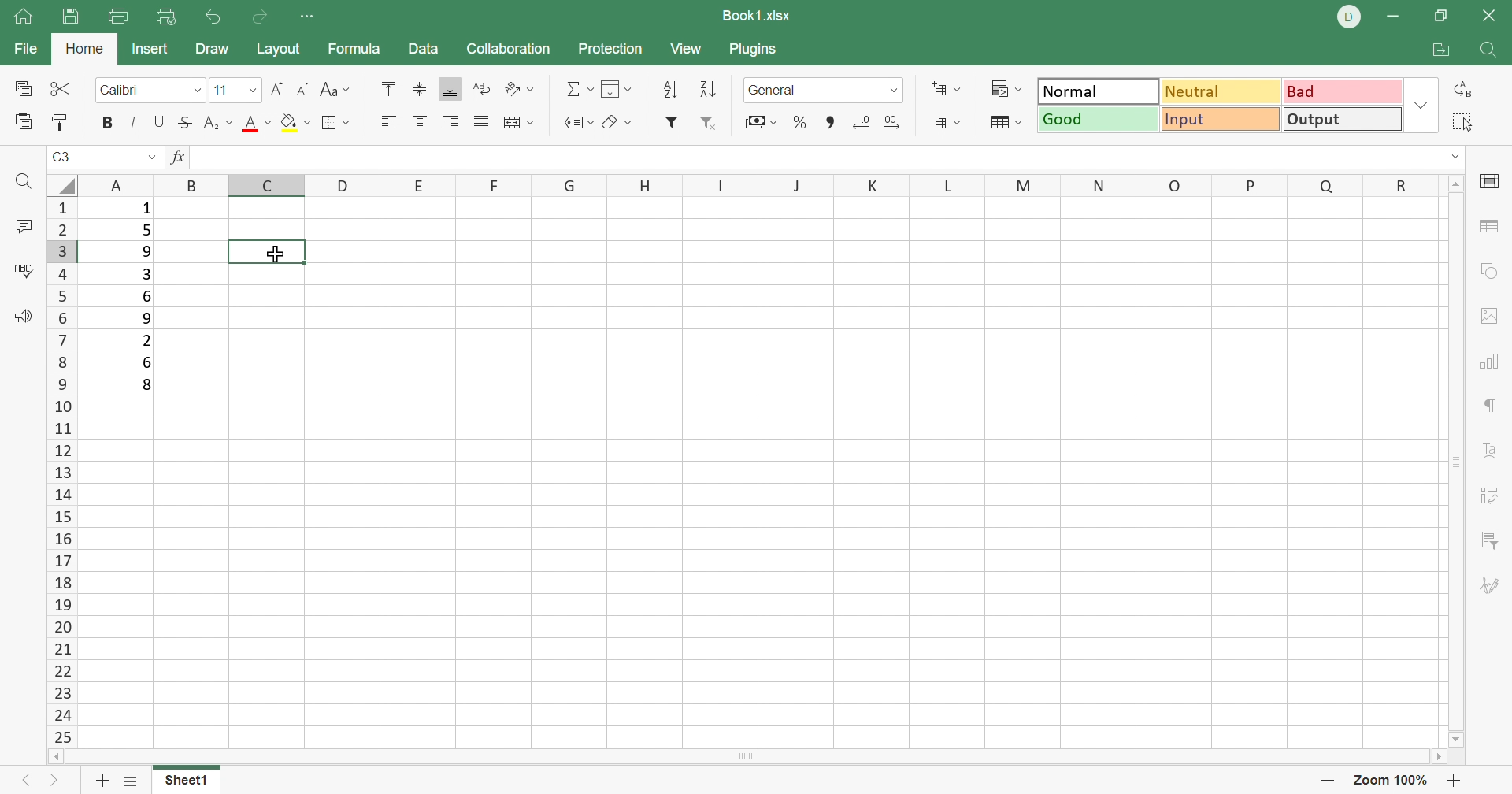 The width and height of the screenshot is (1512, 794). Describe the element at coordinates (261, 20) in the screenshot. I see `Redo` at that location.